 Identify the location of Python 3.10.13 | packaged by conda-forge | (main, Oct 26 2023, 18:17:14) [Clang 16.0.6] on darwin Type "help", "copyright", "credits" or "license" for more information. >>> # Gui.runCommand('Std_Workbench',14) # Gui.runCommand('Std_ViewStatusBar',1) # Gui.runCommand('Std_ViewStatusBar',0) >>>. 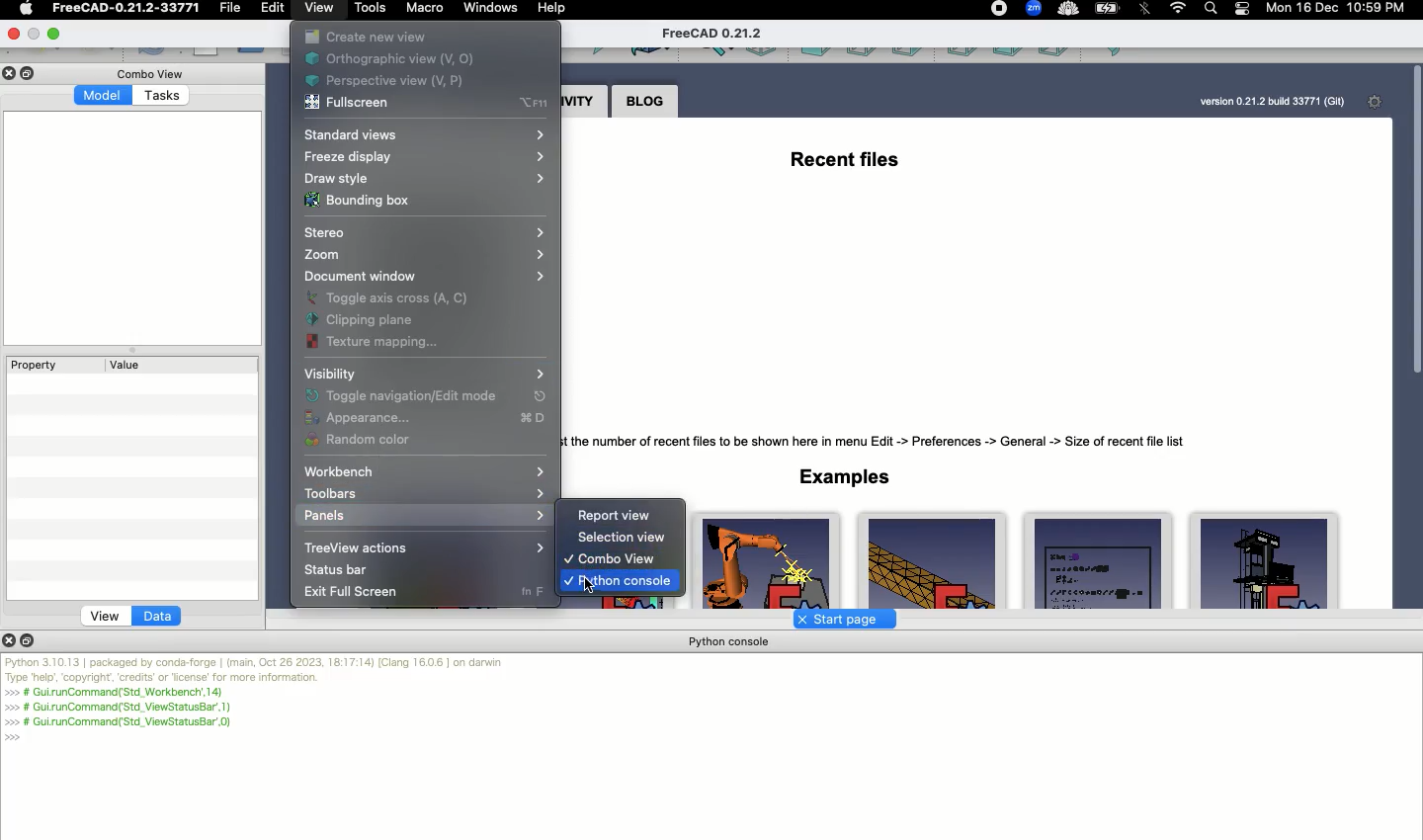
(257, 700).